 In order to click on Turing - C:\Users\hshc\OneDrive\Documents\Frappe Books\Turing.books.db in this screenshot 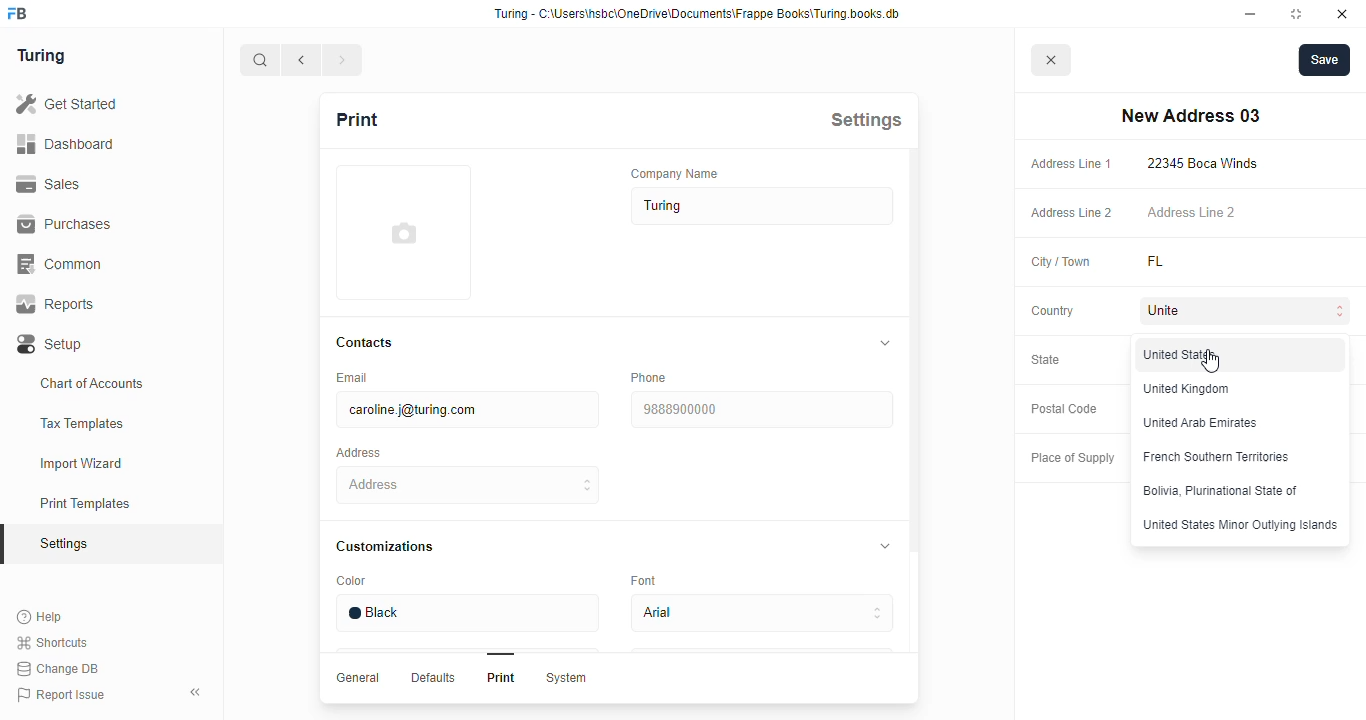, I will do `click(699, 14)`.